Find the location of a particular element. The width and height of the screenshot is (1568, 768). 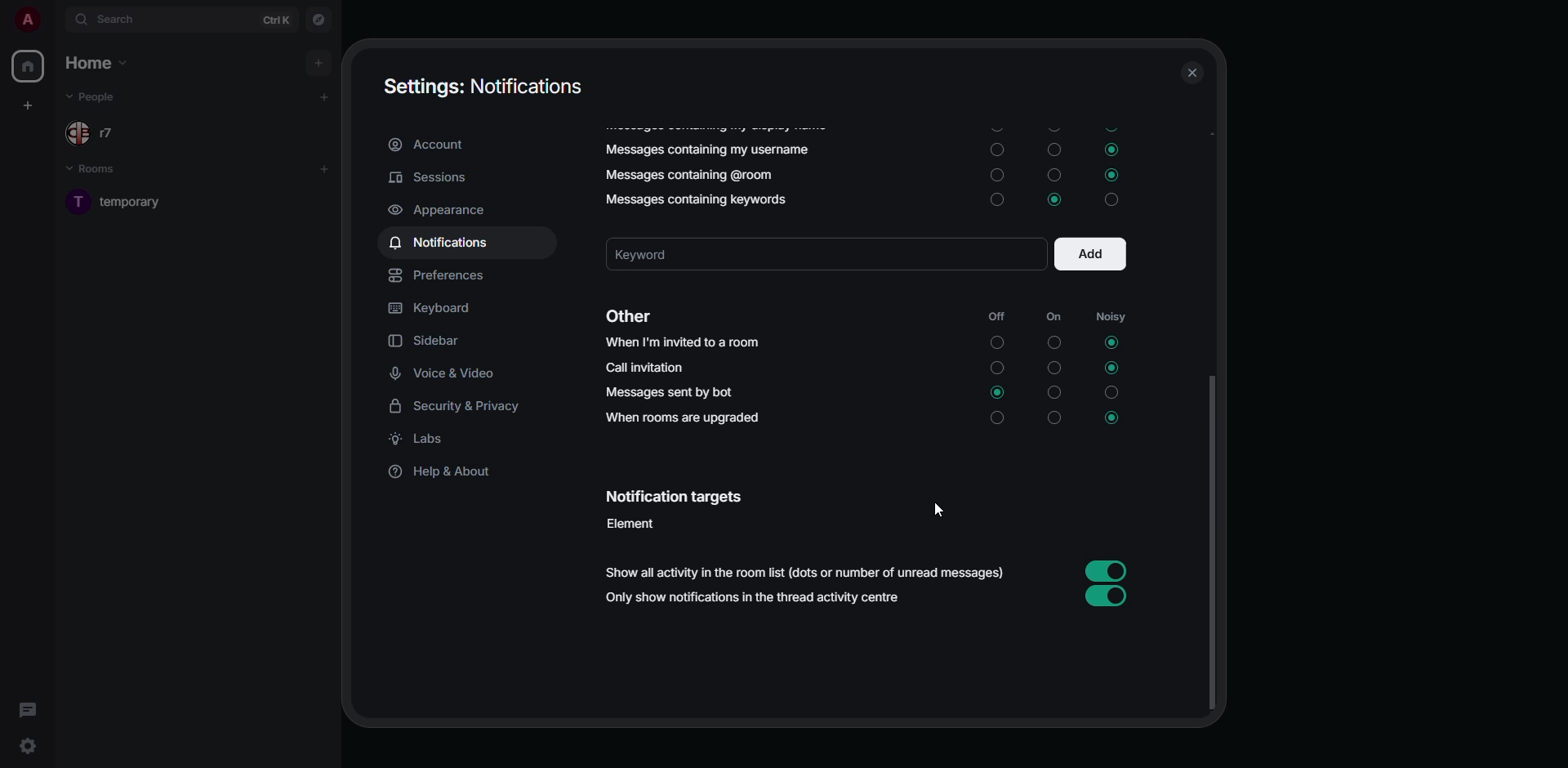

profile is located at coordinates (27, 20).